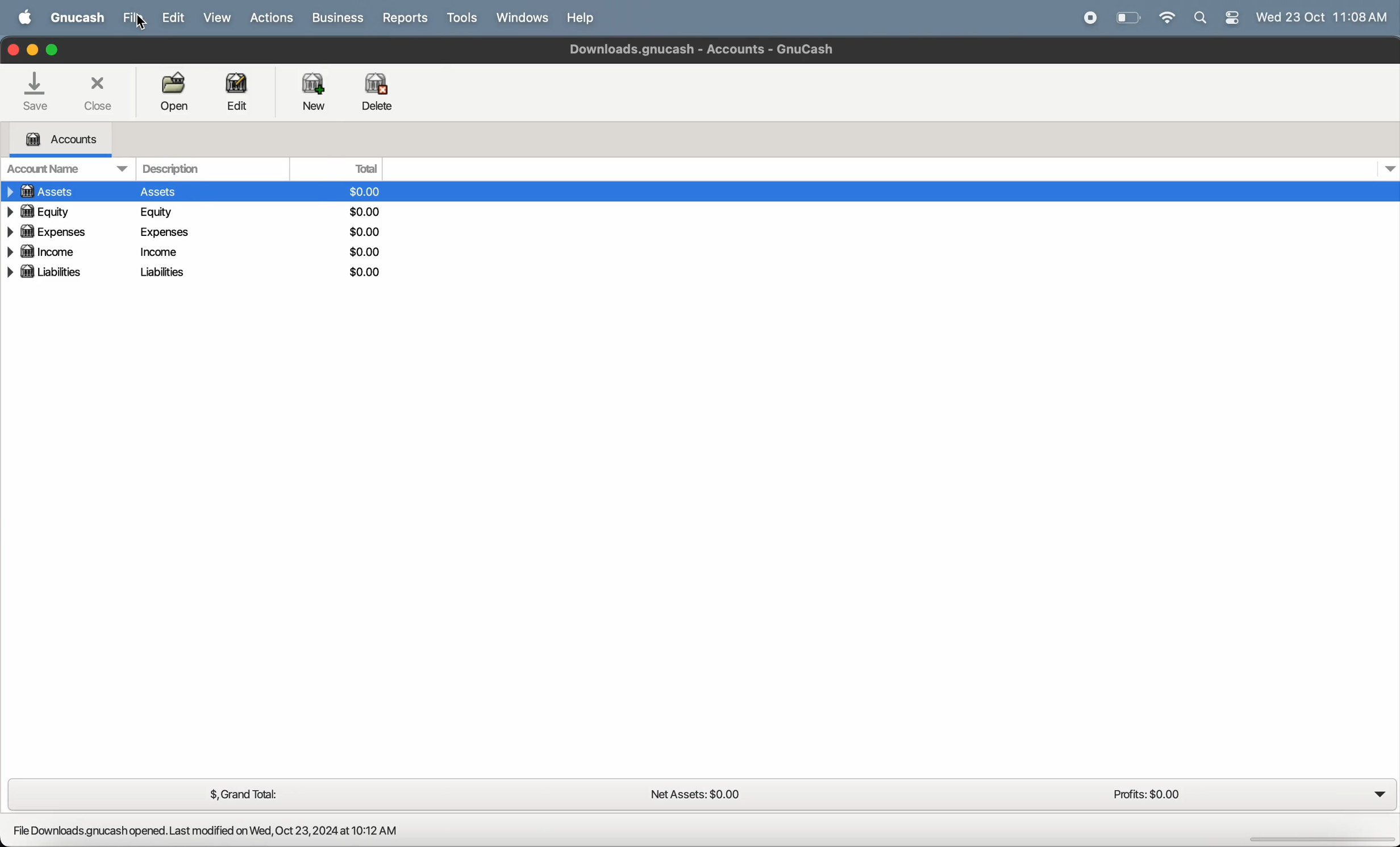 Image resolution: width=1400 pixels, height=847 pixels. Describe the element at coordinates (267, 18) in the screenshot. I see `actions` at that location.